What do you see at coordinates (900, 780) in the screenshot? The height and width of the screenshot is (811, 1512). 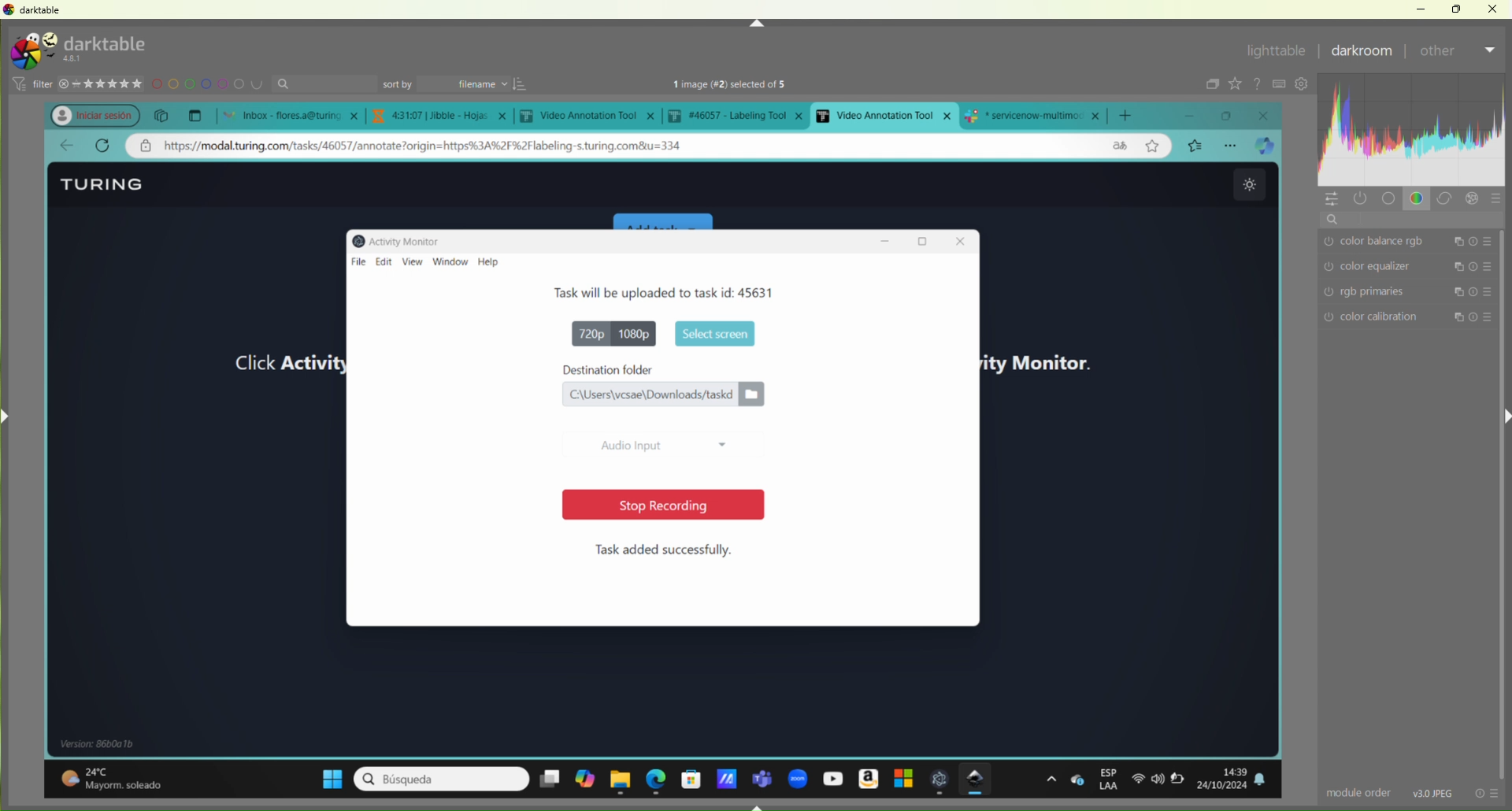 I see `windows` at bounding box center [900, 780].